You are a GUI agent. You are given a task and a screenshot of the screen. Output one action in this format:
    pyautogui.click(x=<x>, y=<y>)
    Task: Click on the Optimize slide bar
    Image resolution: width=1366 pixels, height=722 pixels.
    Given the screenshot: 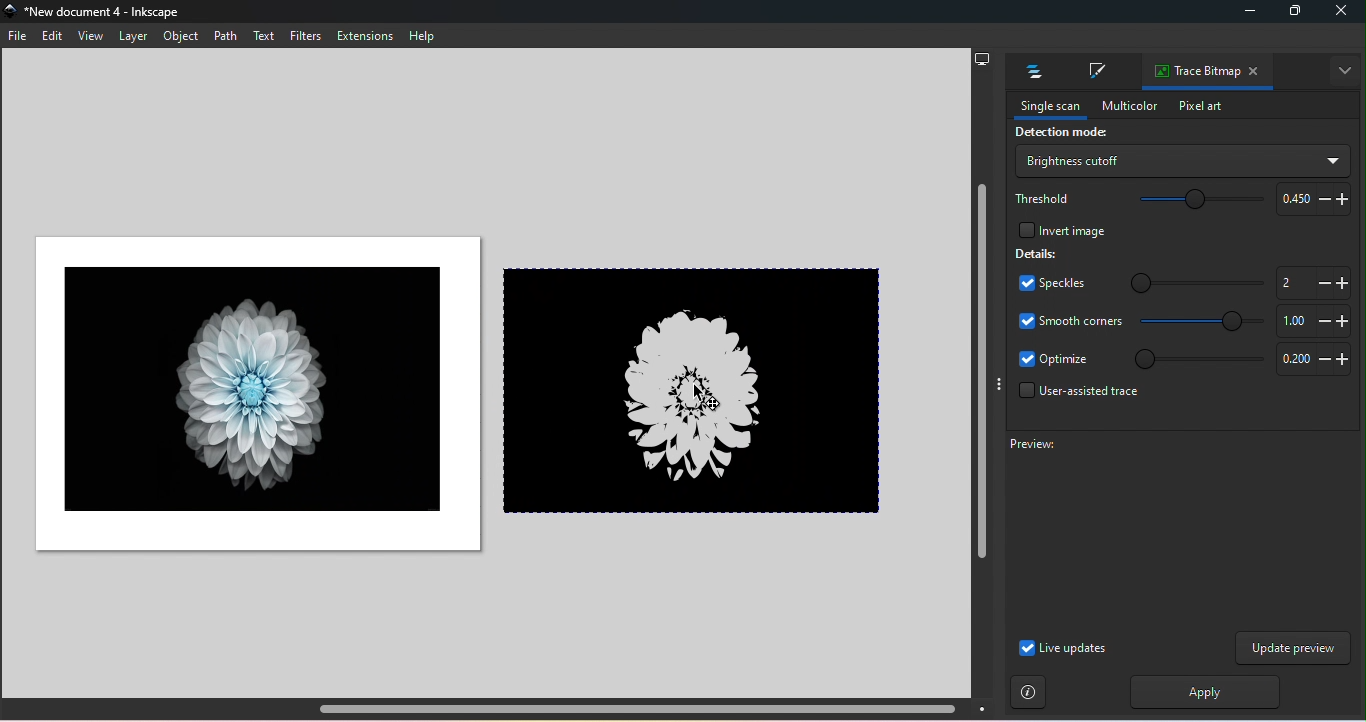 What is the action you would take?
    pyautogui.click(x=1193, y=359)
    